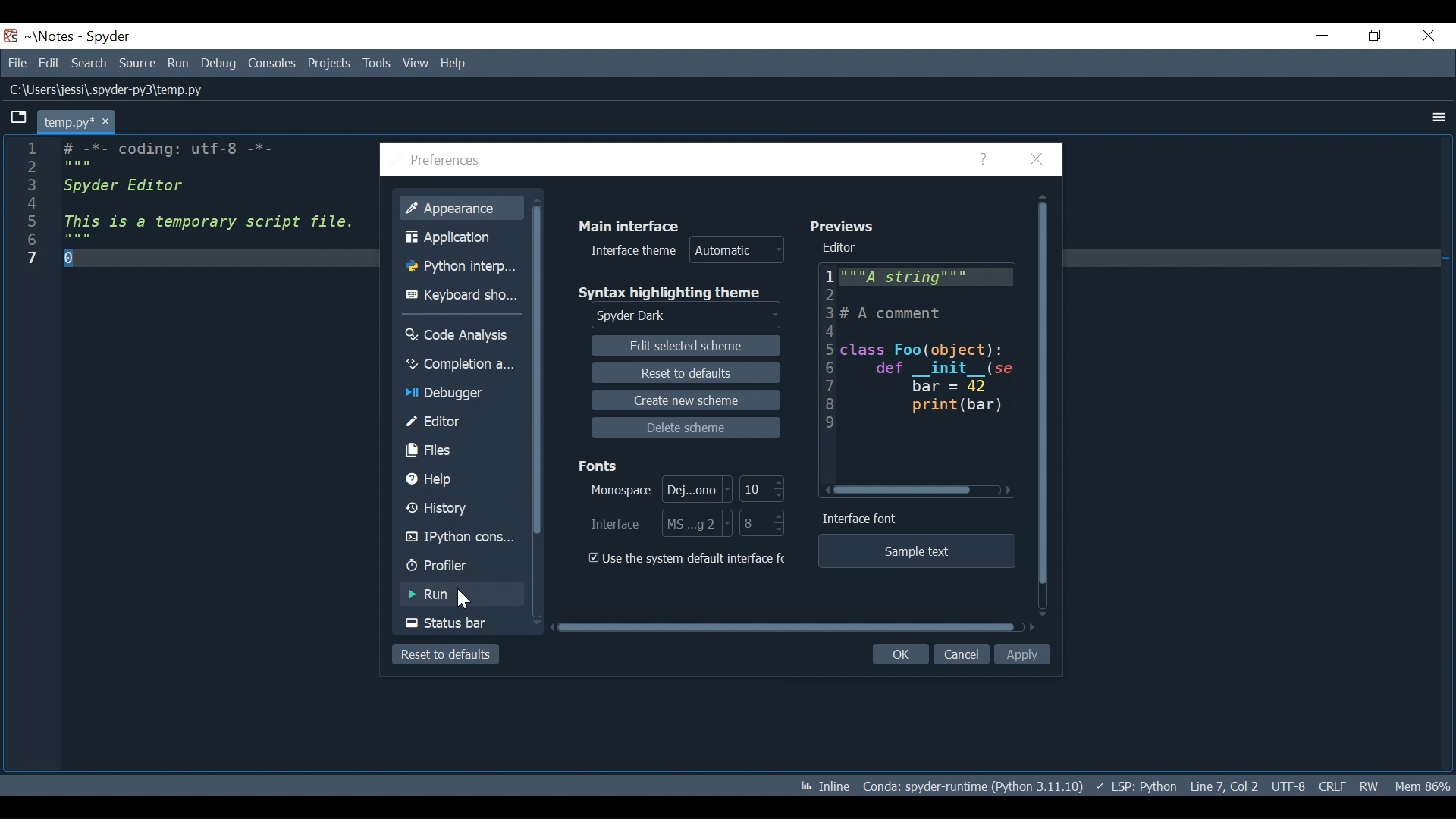 This screenshot has width=1456, height=819. What do you see at coordinates (842, 248) in the screenshot?
I see `Editor` at bounding box center [842, 248].